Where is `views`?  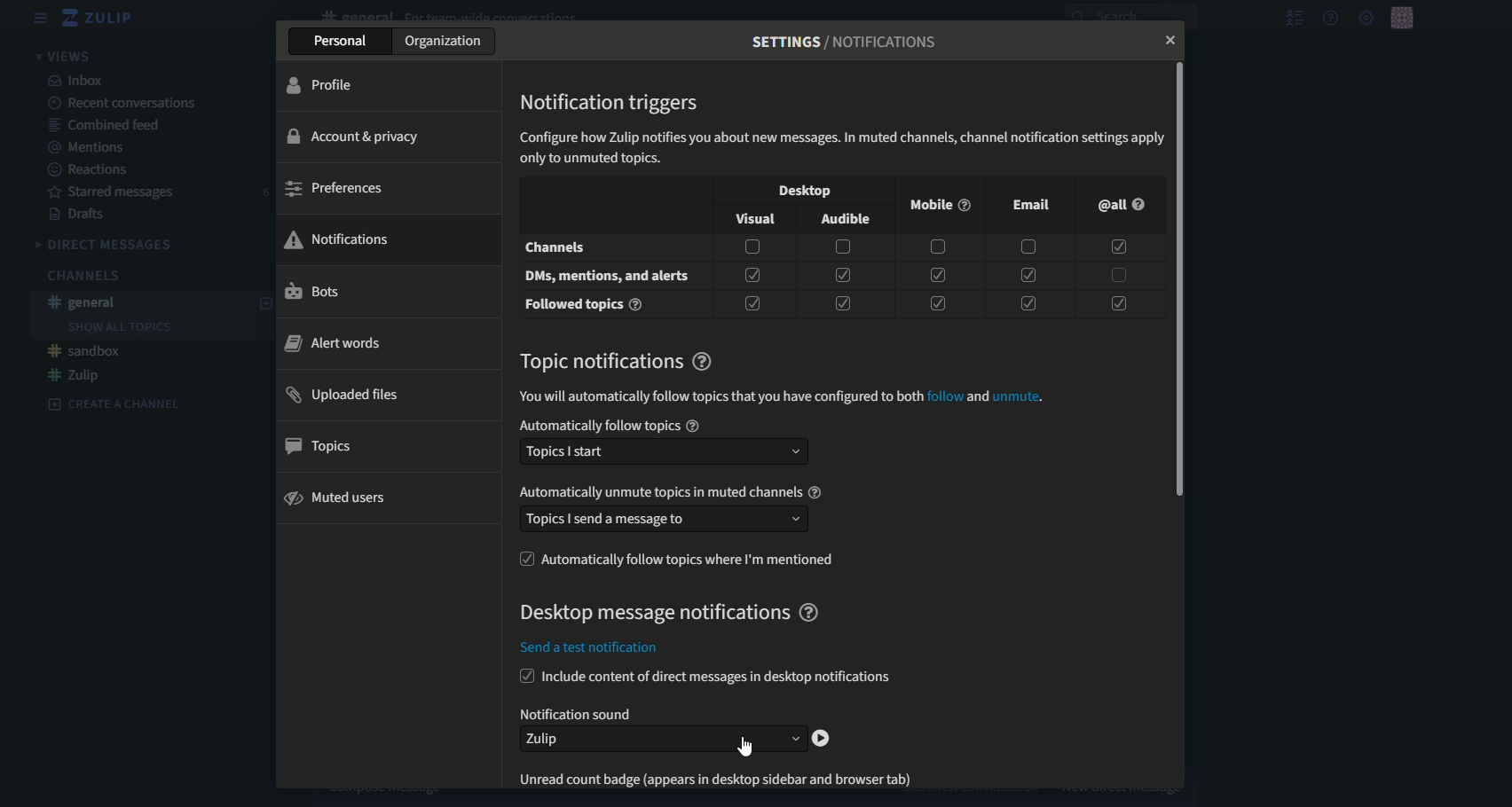
views is located at coordinates (67, 55).